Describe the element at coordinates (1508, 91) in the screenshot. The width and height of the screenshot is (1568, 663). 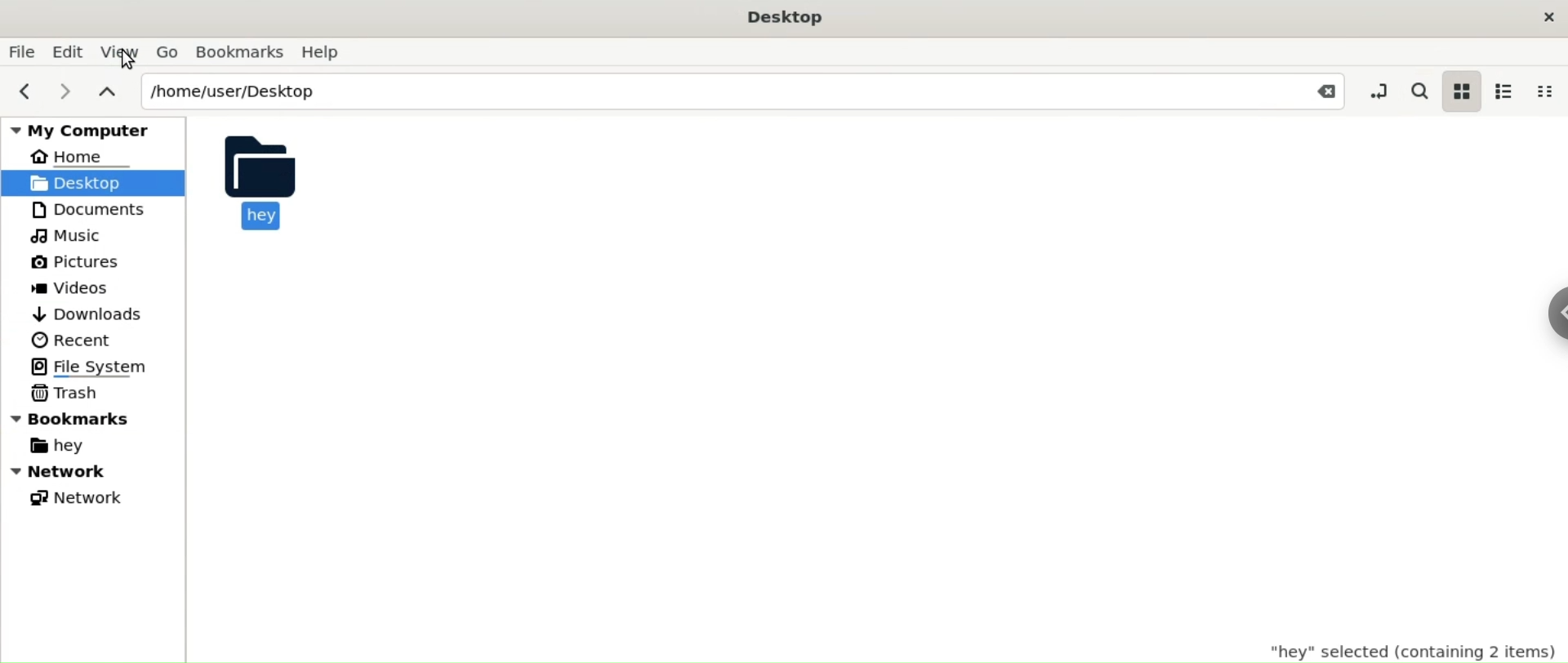
I see `list view` at that location.